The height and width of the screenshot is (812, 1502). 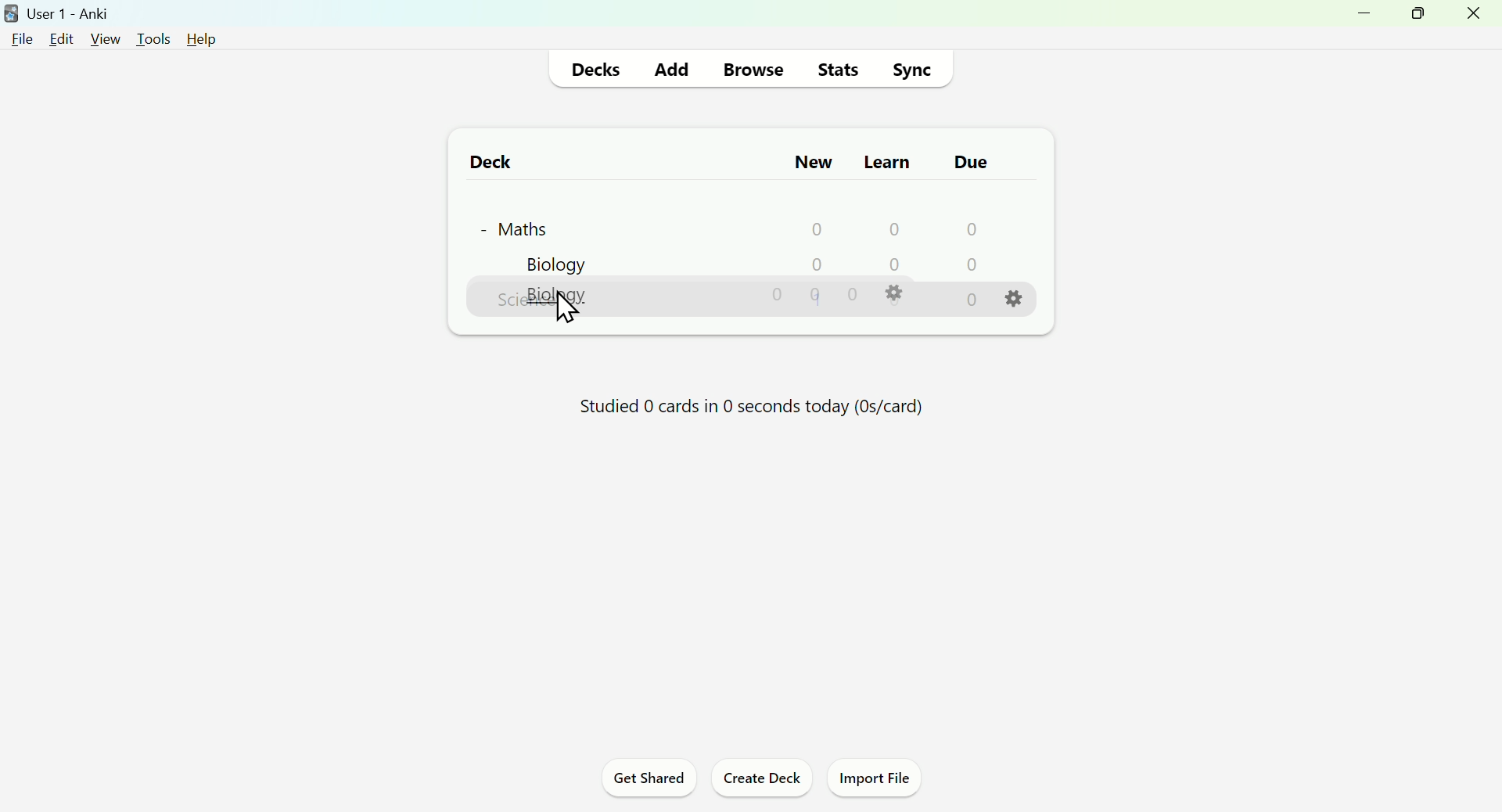 I want to click on tools, so click(x=153, y=39).